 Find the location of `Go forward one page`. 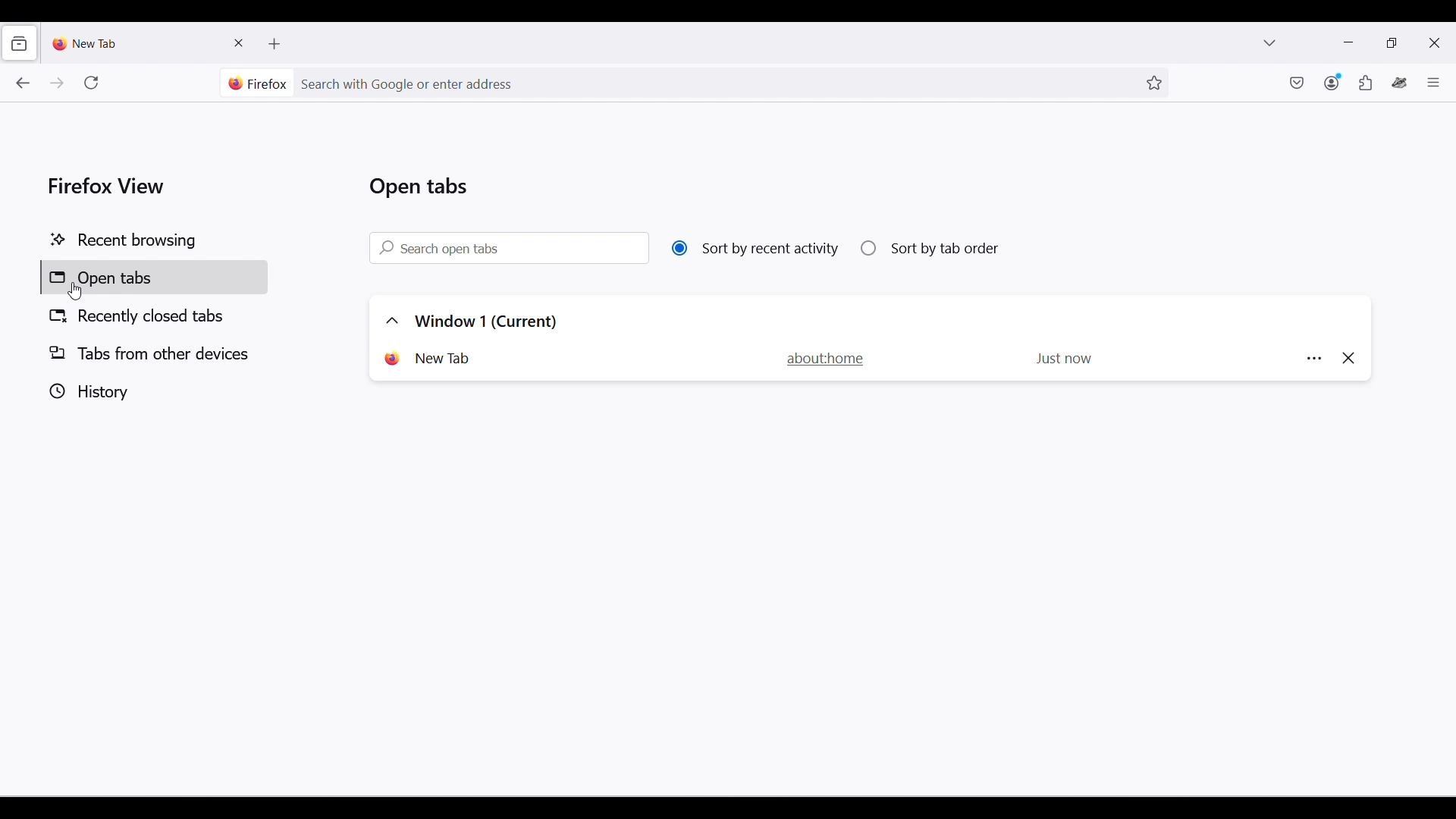

Go forward one page is located at coordinates (55, 83).